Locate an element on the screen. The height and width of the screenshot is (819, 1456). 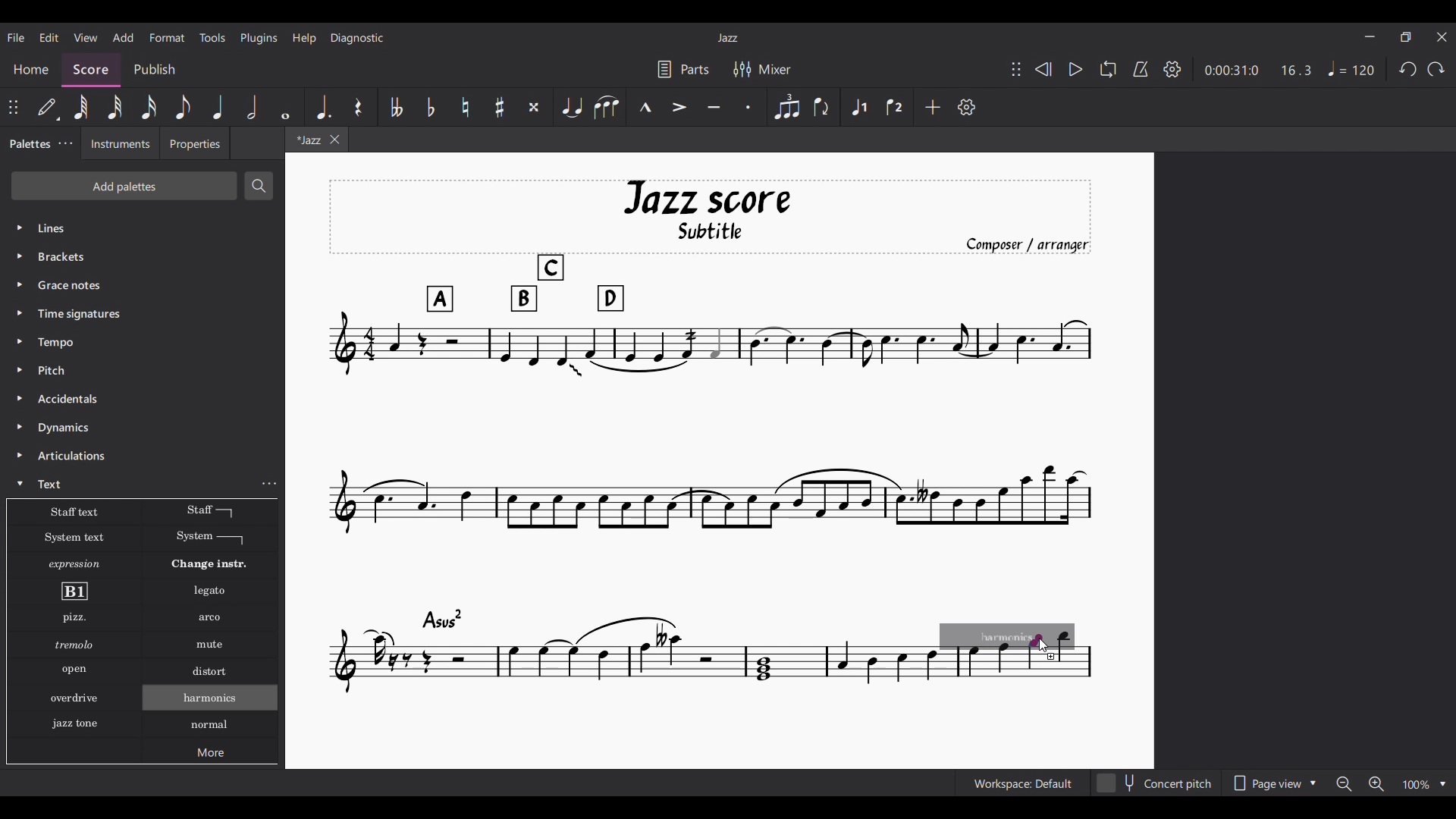
Accent is located at coordinates (679, 107).